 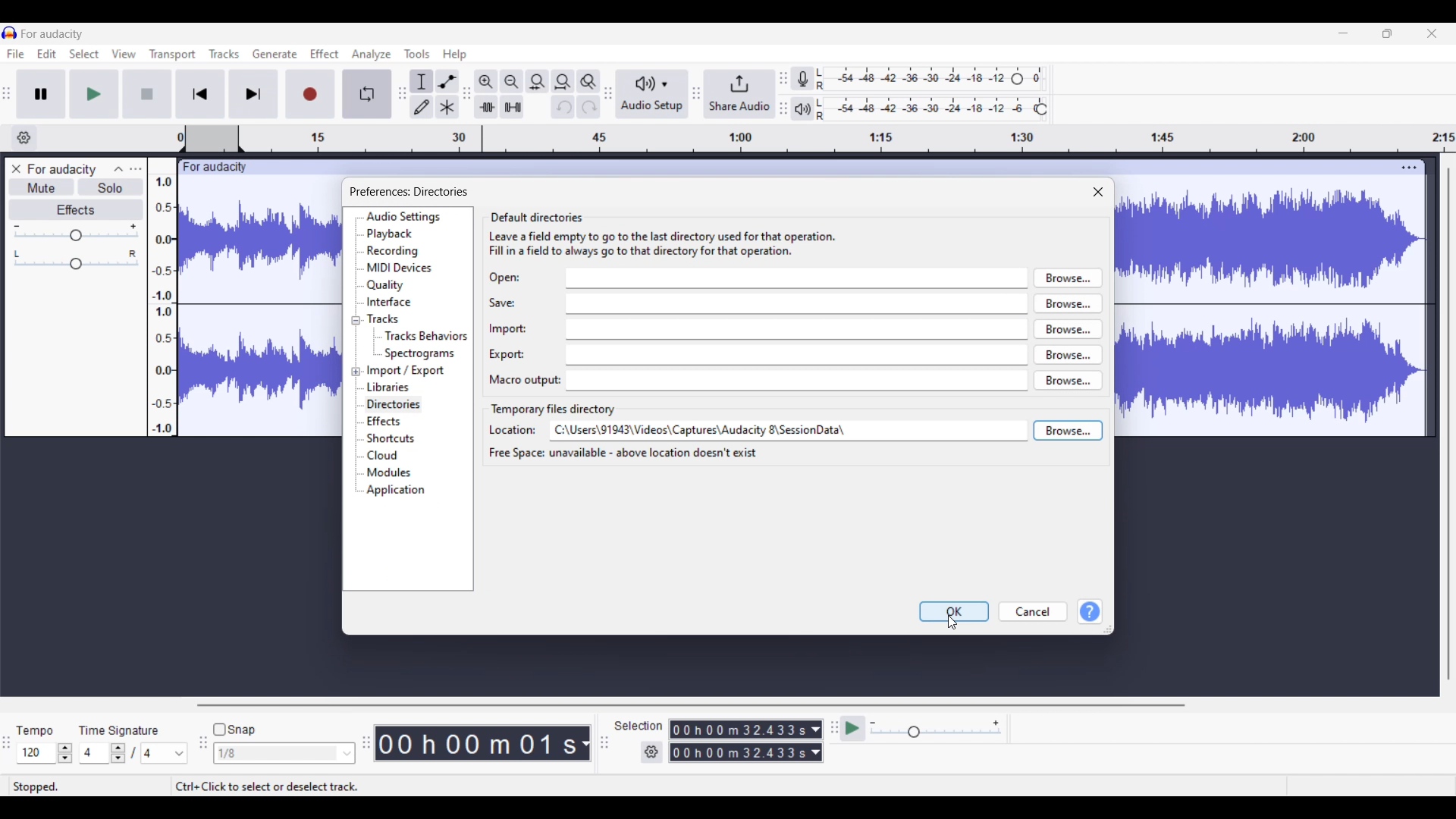 I want to click on Current timestamp of track, so click(x=476, y=743).